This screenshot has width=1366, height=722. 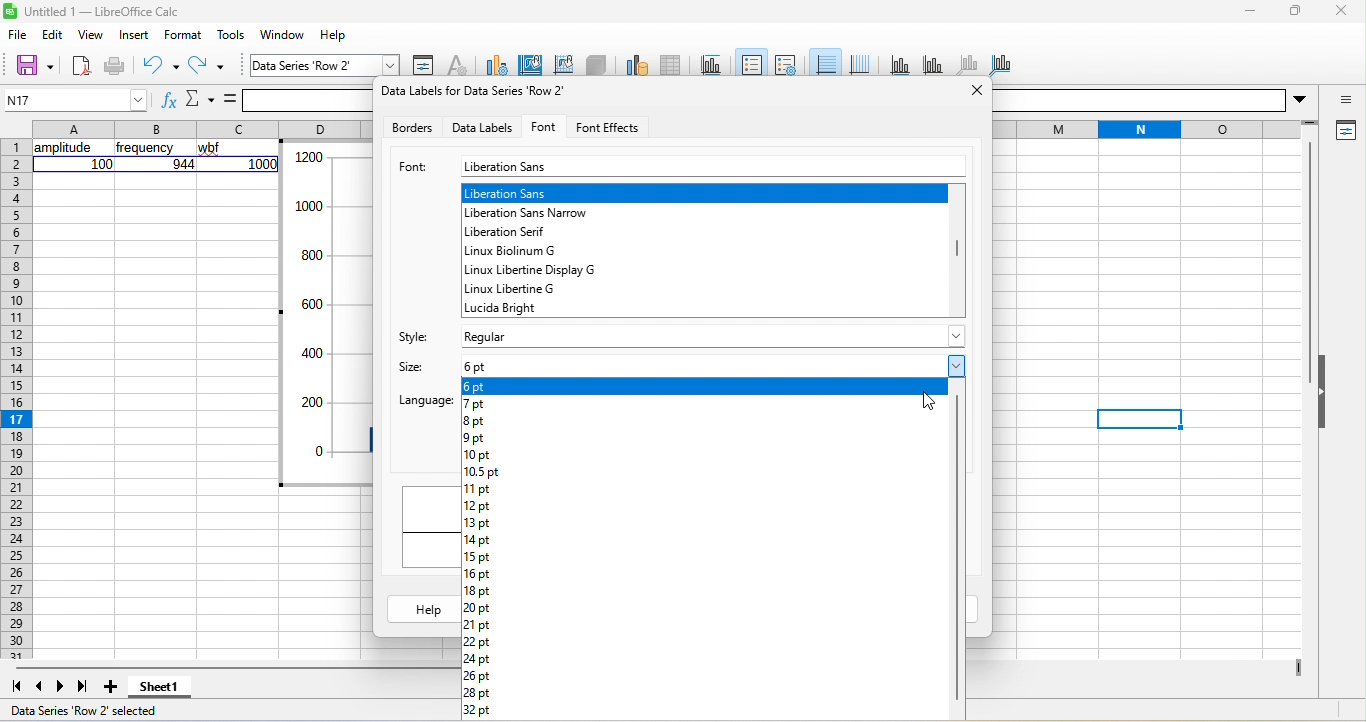 I want to click on liberation sans, so click(x=704, y=191).